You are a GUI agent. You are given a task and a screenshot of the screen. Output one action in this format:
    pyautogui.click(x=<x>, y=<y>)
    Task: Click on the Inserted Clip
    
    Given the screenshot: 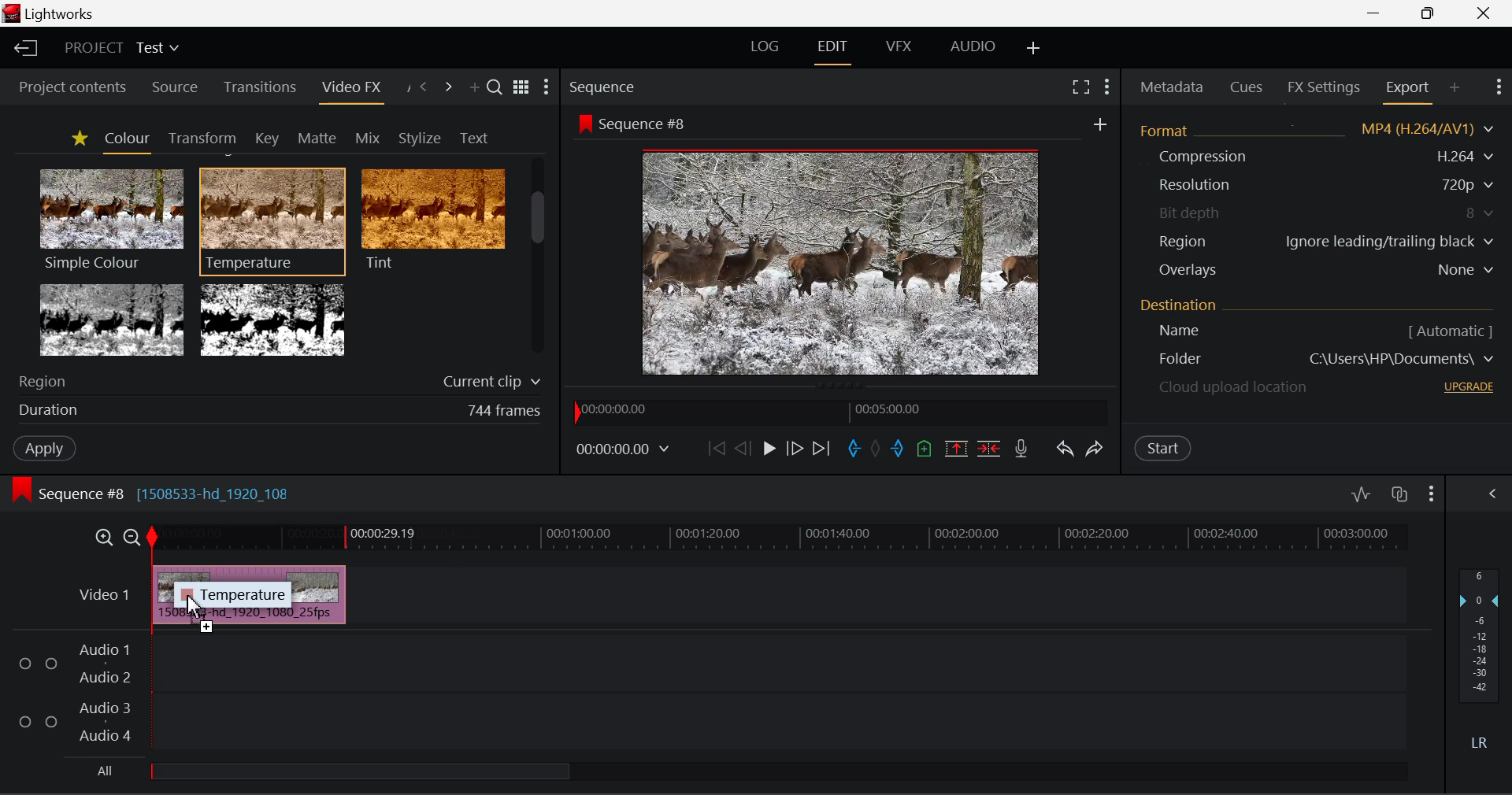 What is the action you would take?
    pyautogui.click(x=249, y=597)
    